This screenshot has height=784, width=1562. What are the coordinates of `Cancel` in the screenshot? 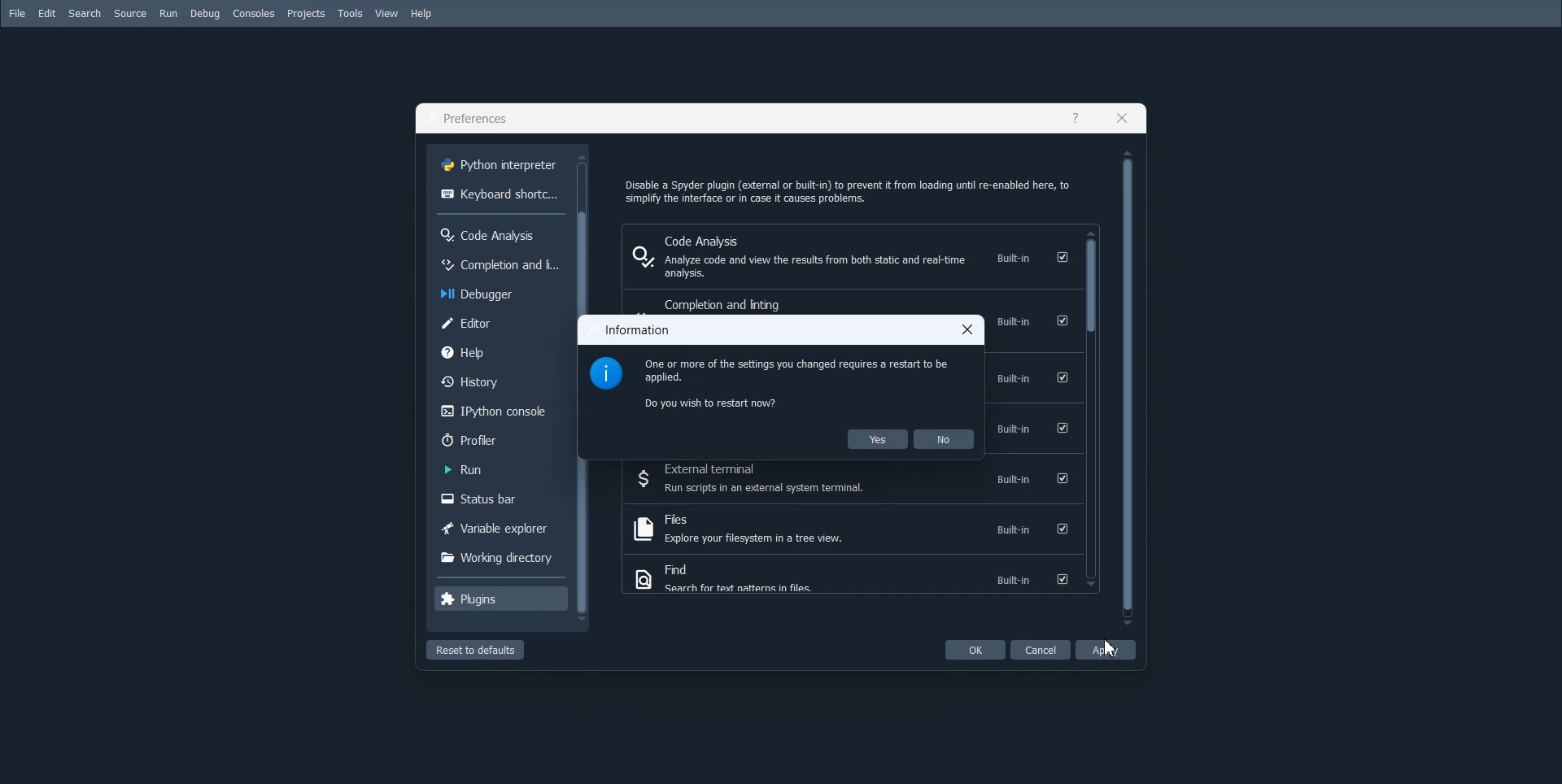 It's located at (1041, 649).